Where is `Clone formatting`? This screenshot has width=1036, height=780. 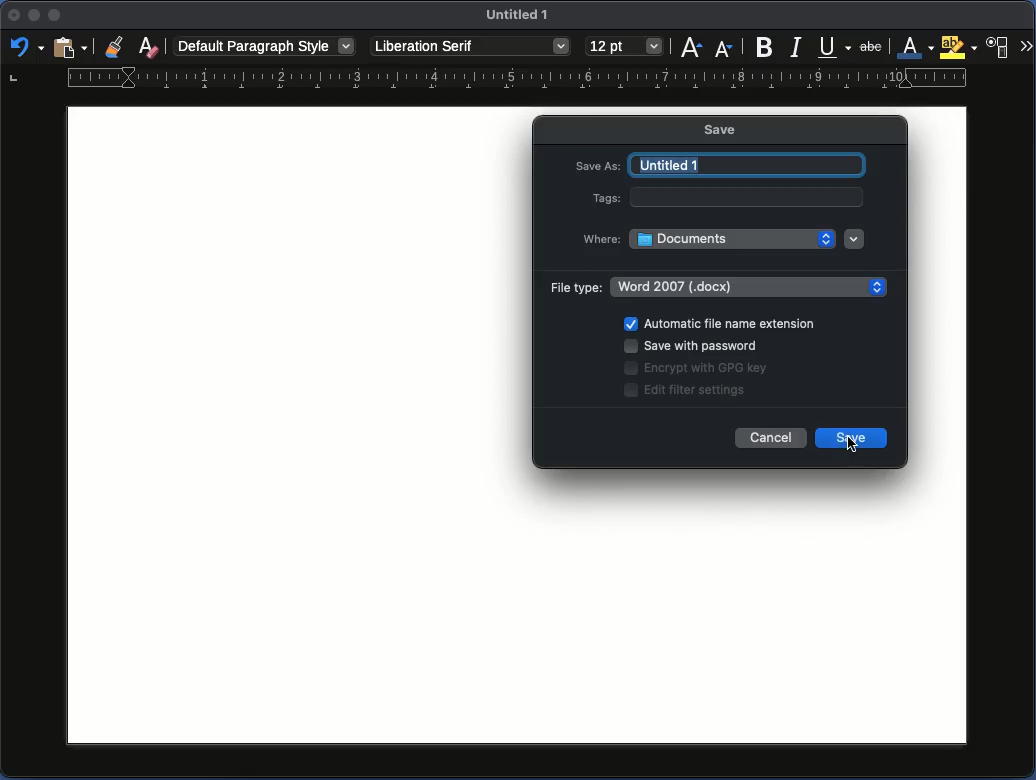 Clone formatting is located at coordinates (117, 47).